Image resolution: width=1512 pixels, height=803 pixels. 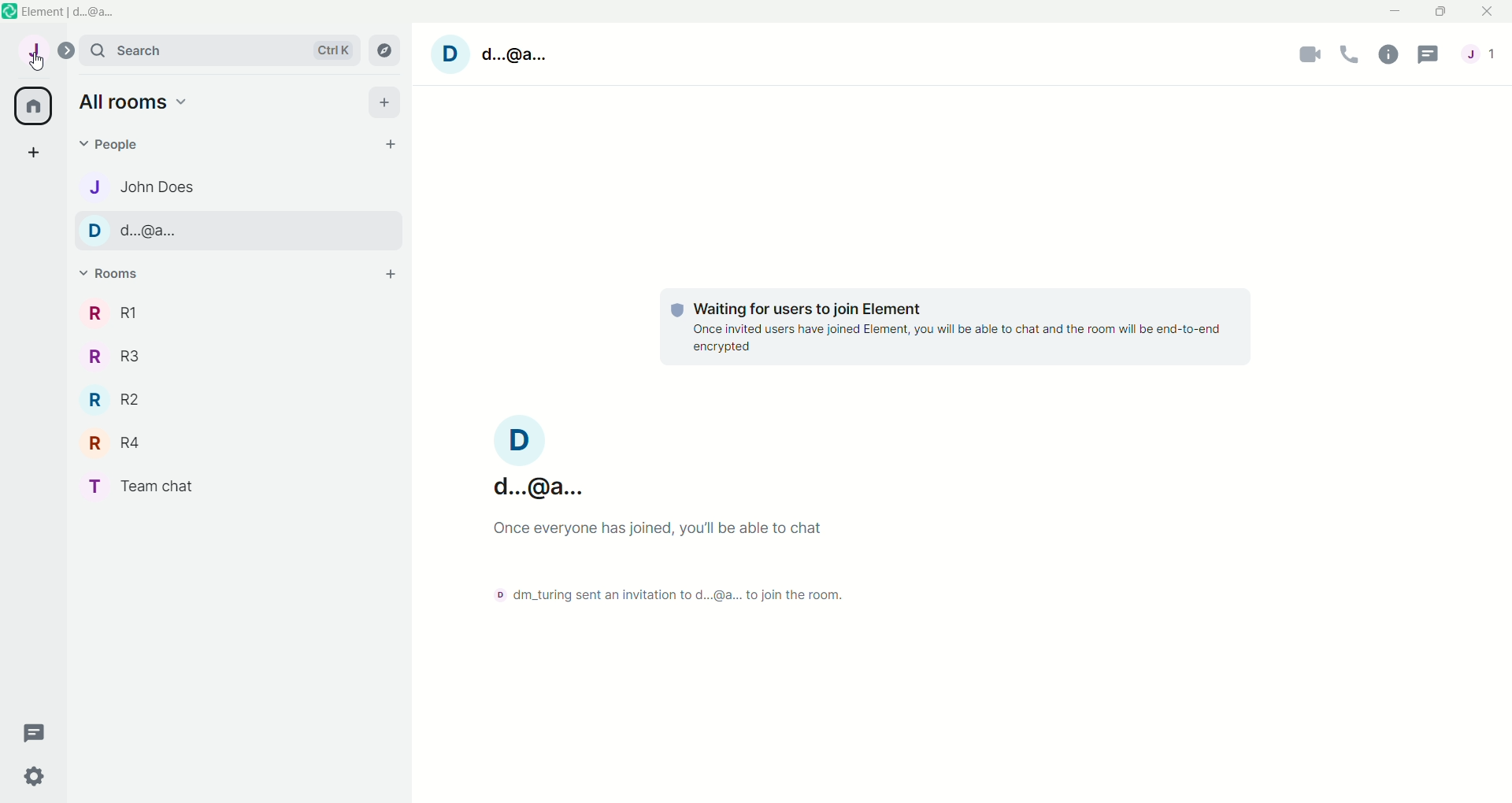 I want to click on Element | d..@a..., so click(x=73, y=13).